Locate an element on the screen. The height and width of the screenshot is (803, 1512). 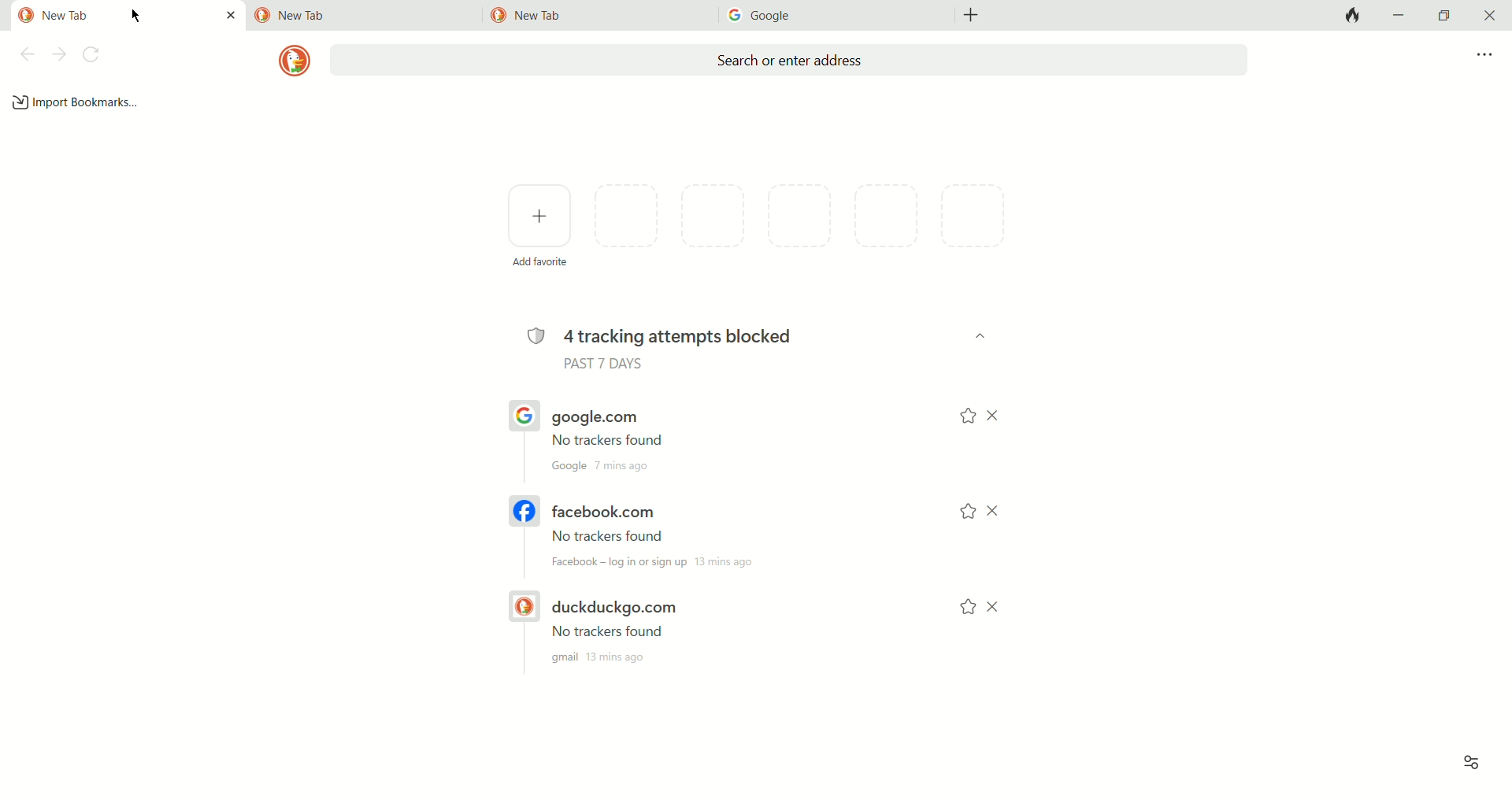
close is located at coordinates (1486, 17).